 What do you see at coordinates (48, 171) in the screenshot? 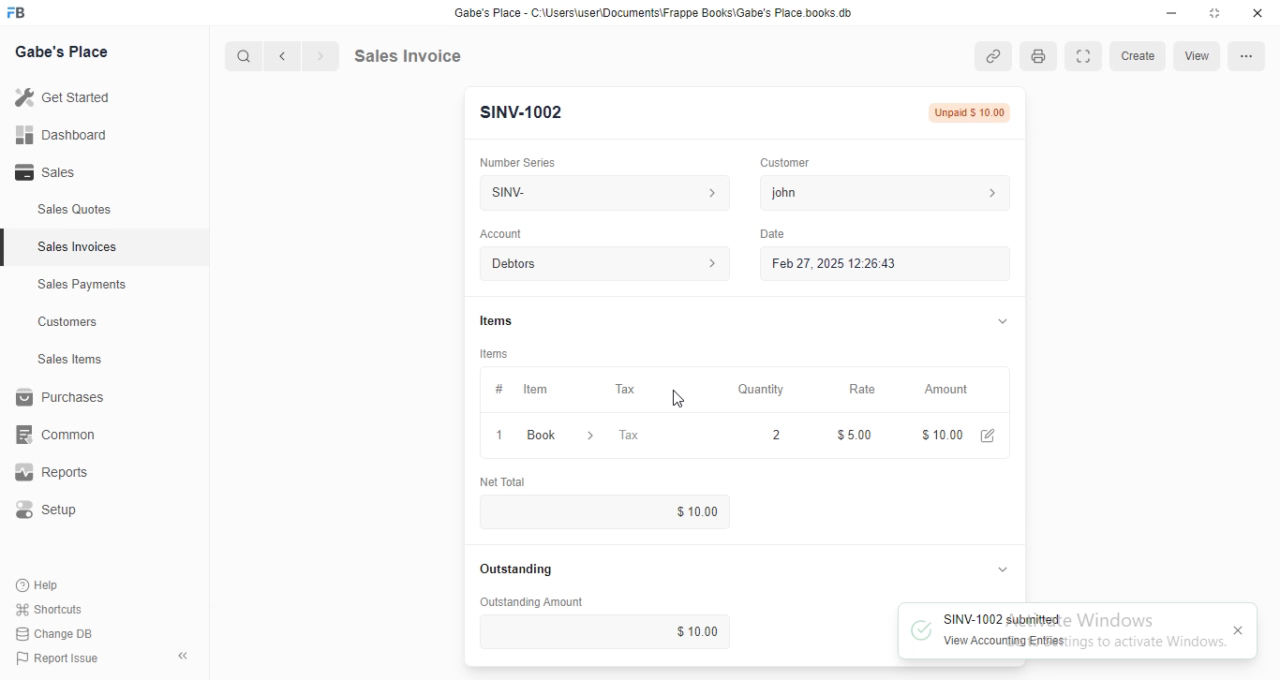
I see `Sales` at bounding box center [48, 171].